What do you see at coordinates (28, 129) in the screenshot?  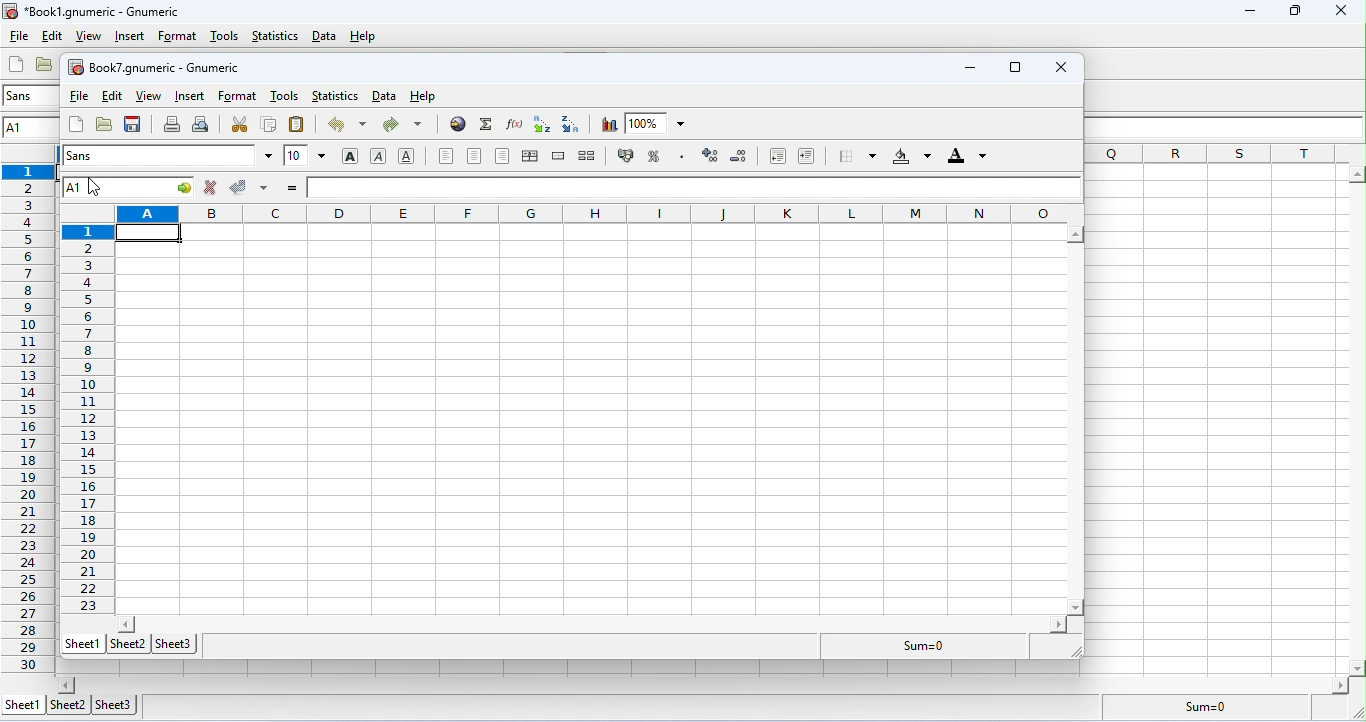 I see `selected cell` at bounding box center [28, 129].